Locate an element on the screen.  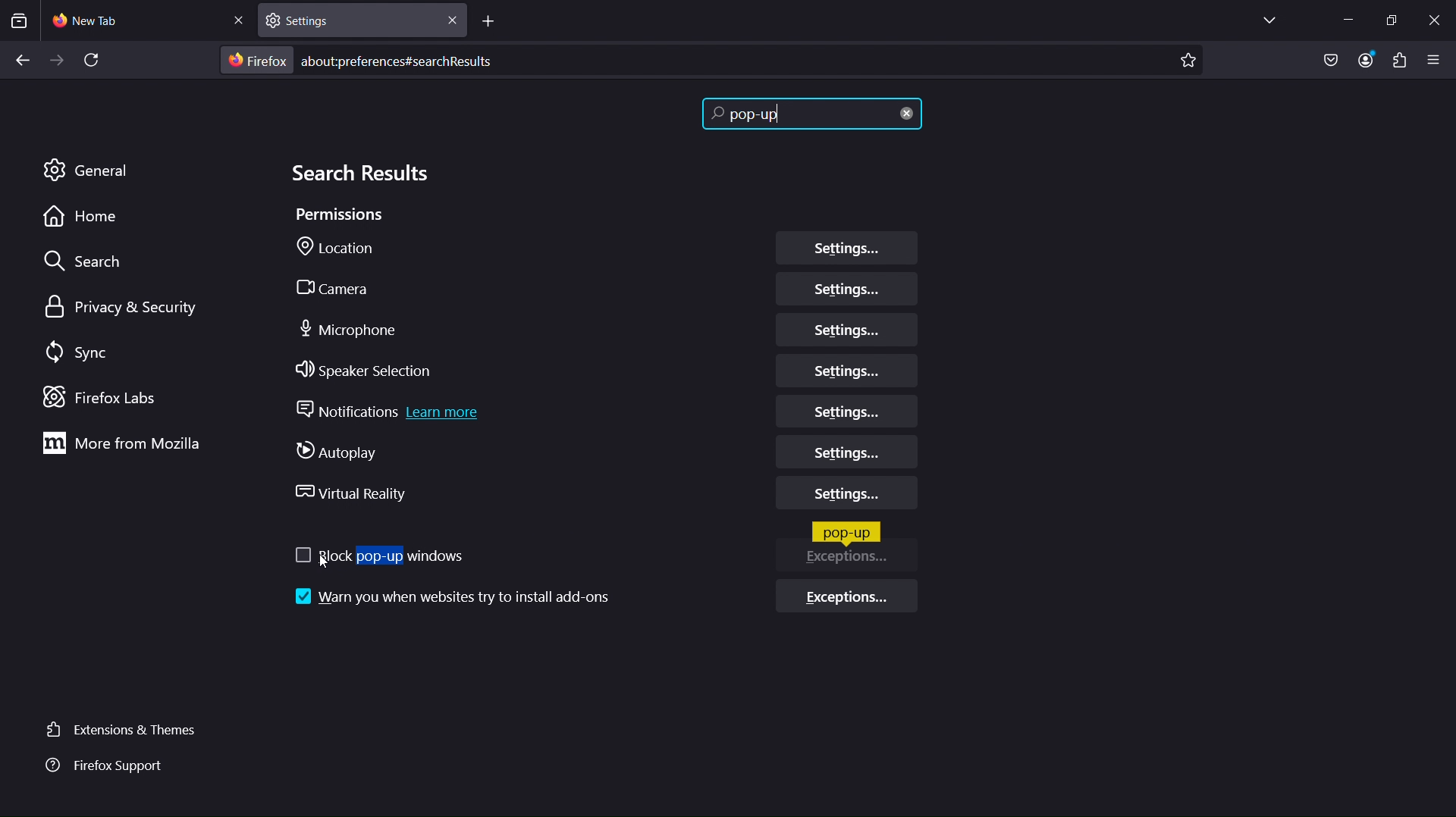
View recent browsing is located at coordinates (22, 21).